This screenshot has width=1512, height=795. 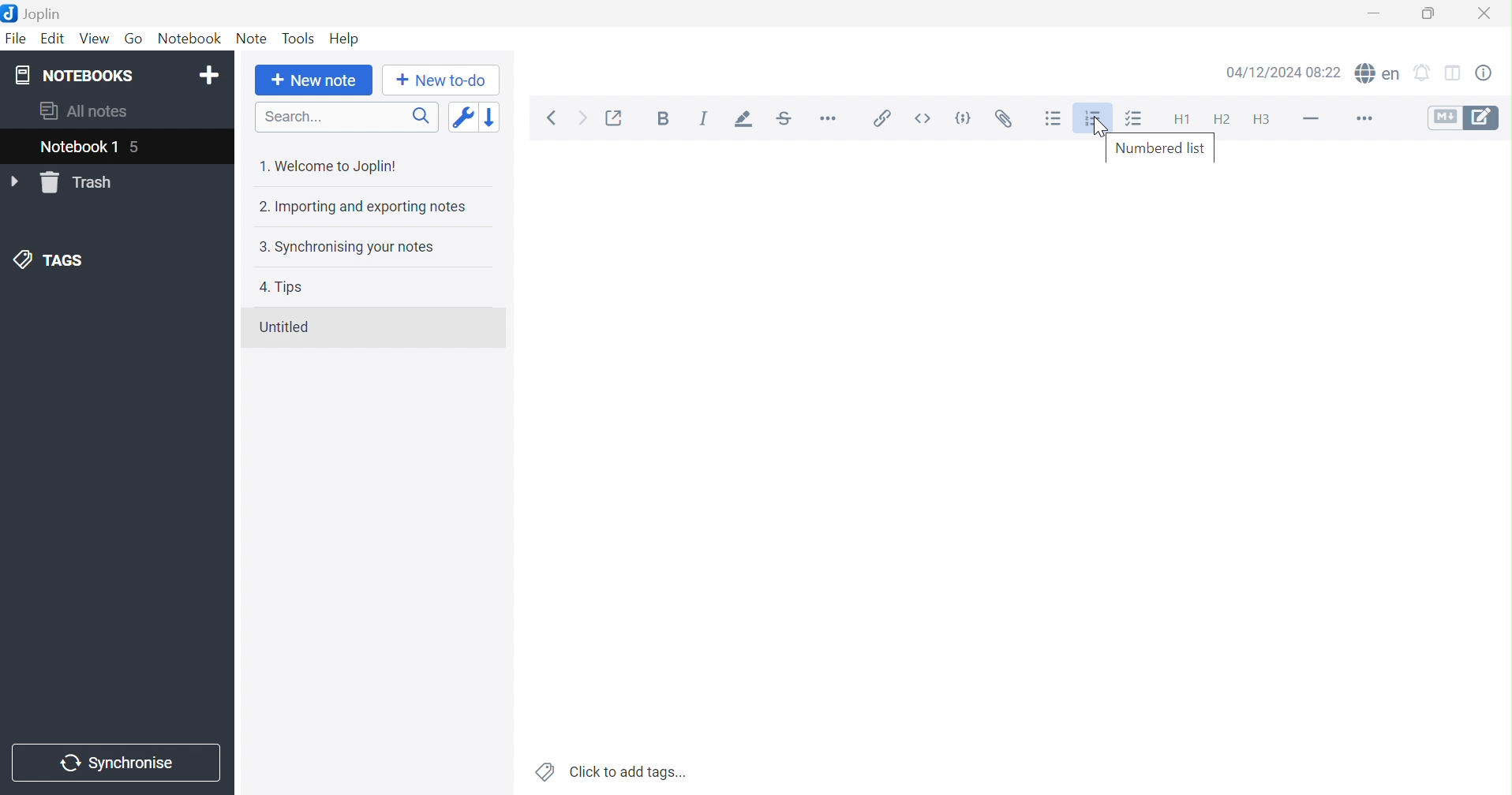 What do you see at coordinates (1178, 119) in the screenshot?
I see `Heading 1` at bounding box center [1178, 119].